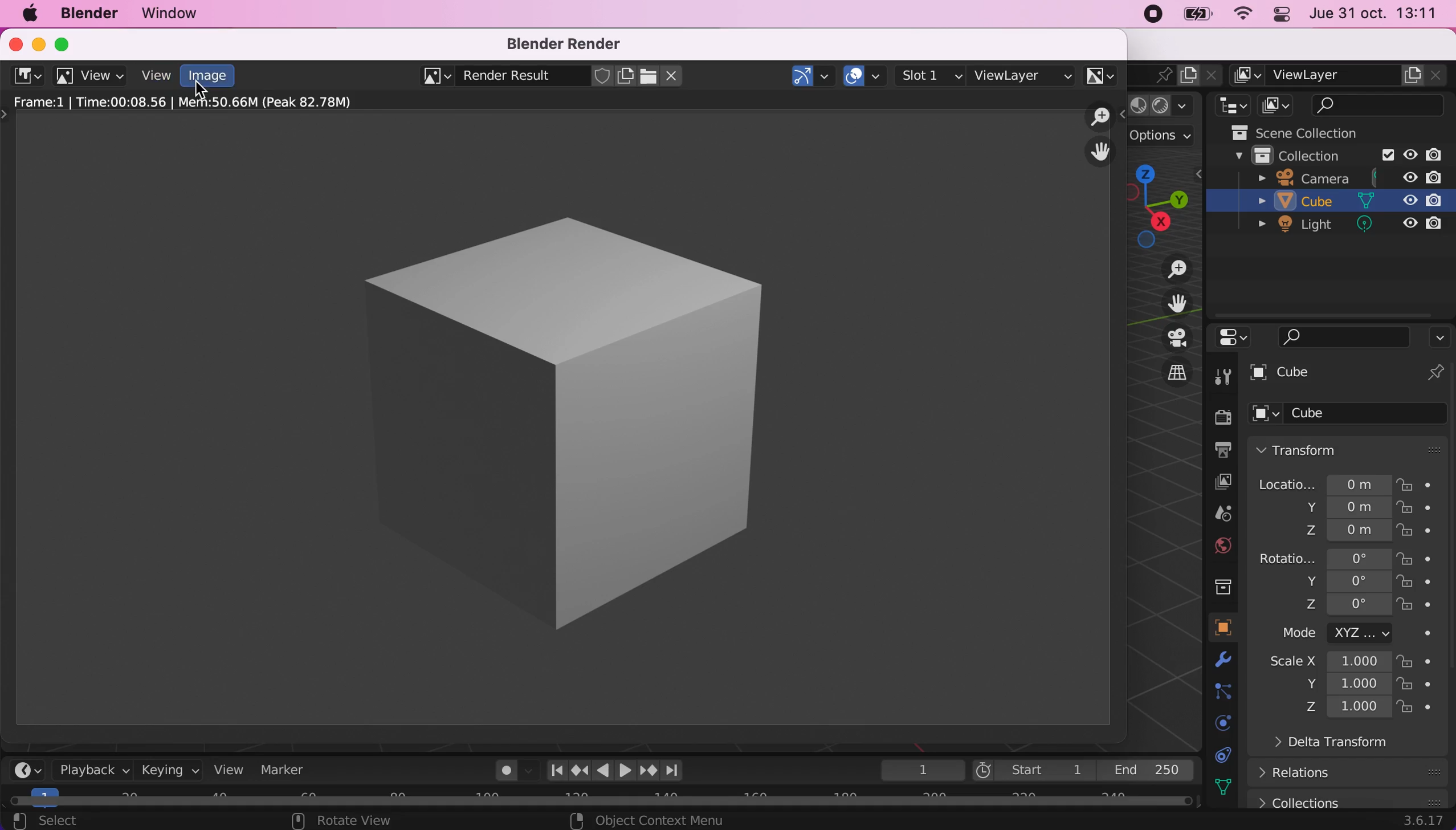 The height and width of the screenshot is (830, 1456). I want to click on editor type, so click(1229, 338).